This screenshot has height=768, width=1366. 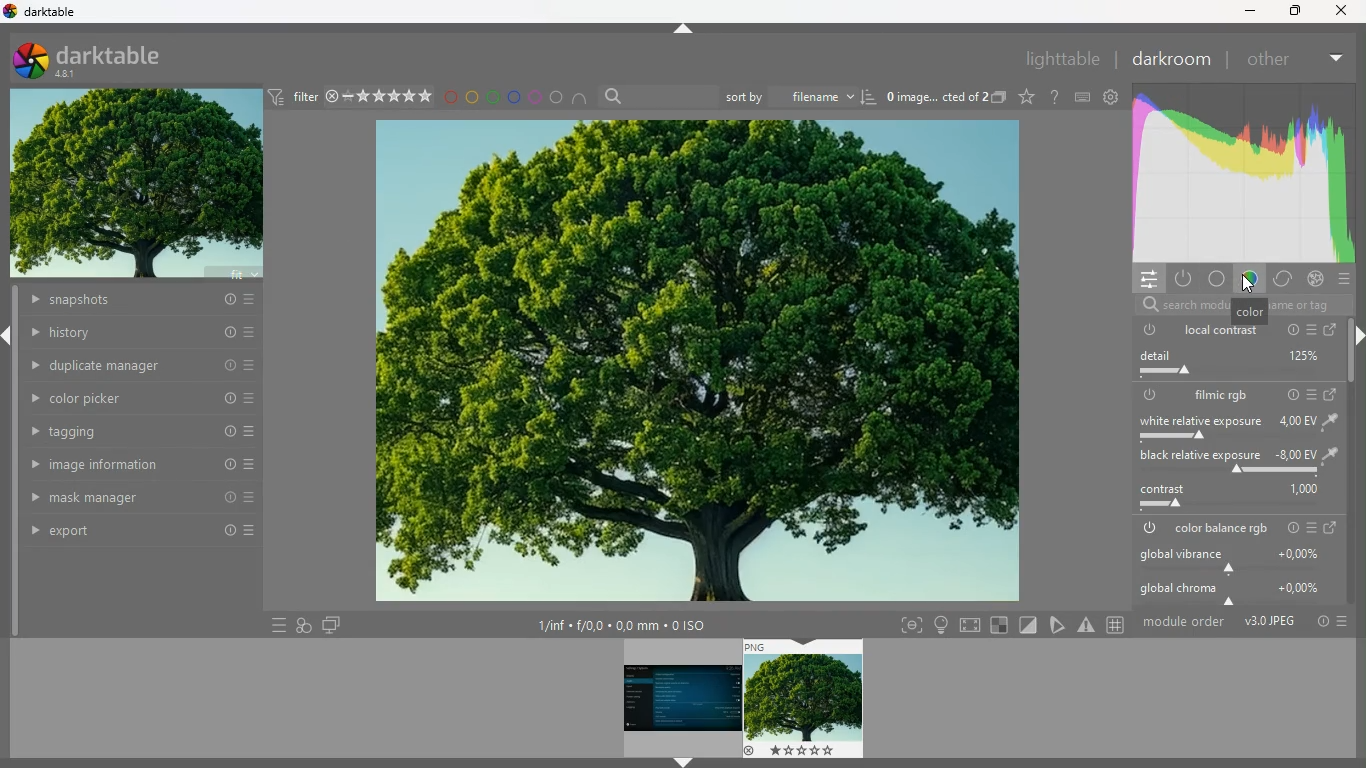 I want to click on divide, so click(x=1030, y=624).